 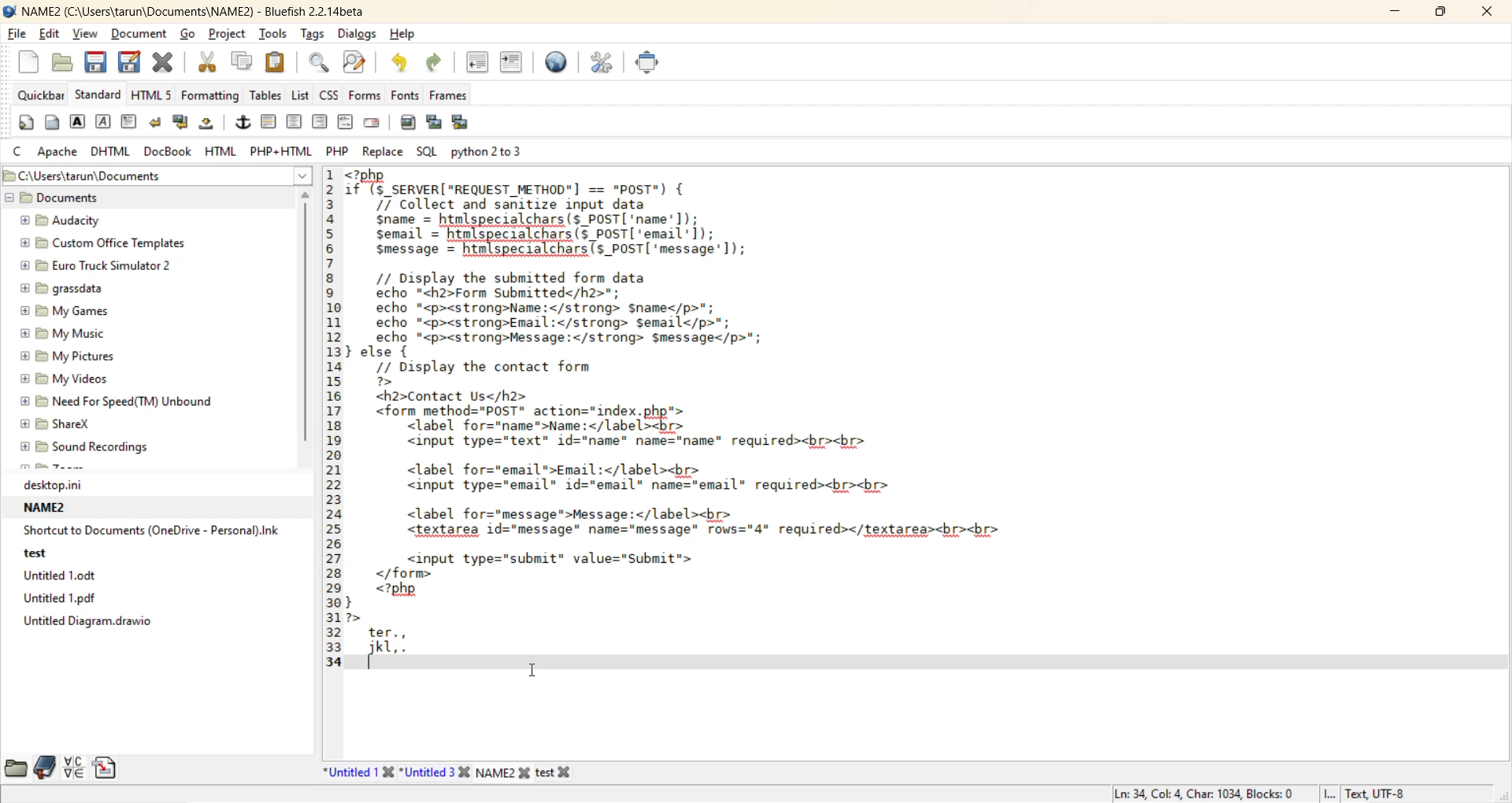 What do you see at coordinates (19, 151) in the screenshot?
I see `c` at bounding box center [19, 151].